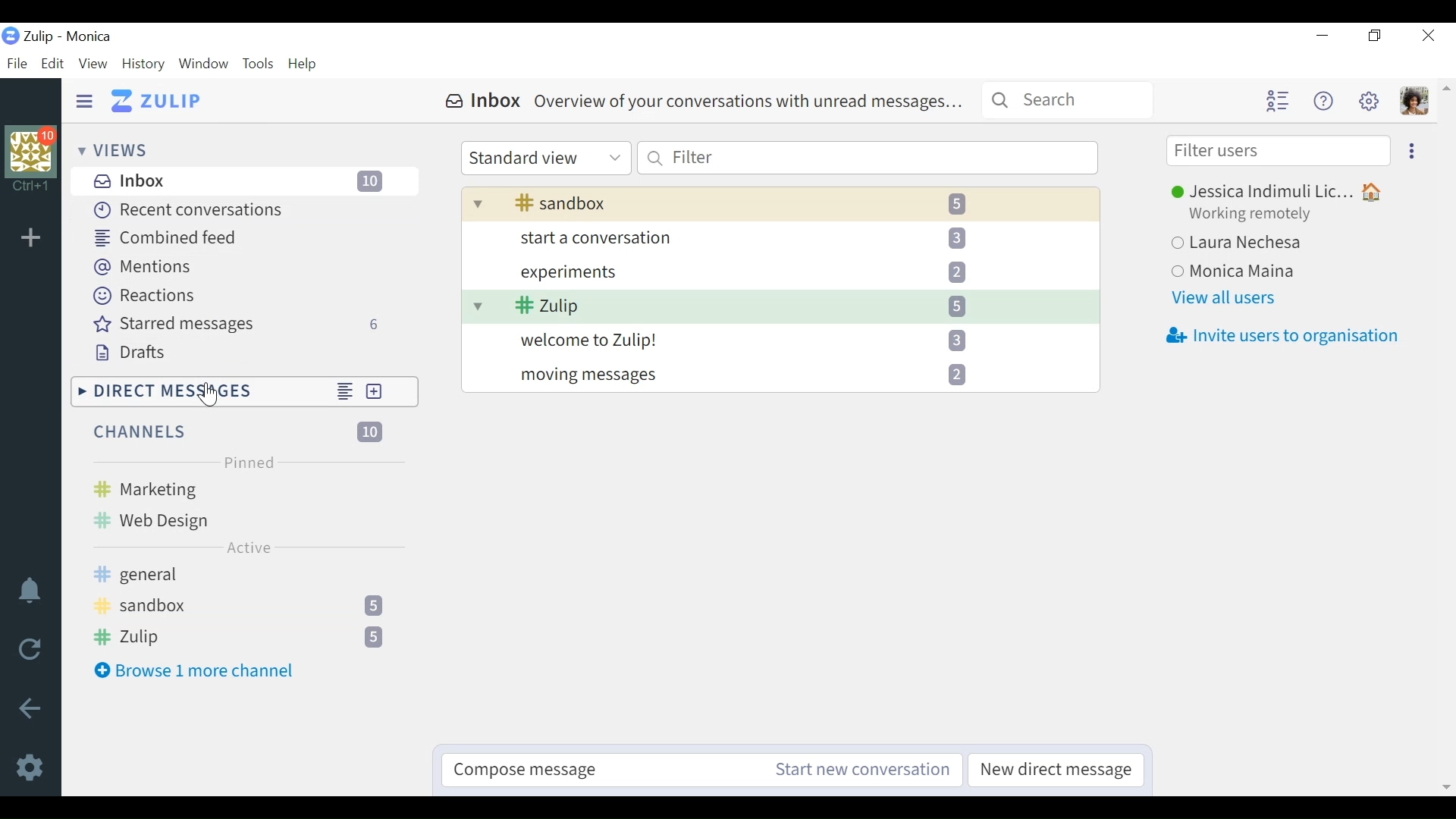  Describe the element at coordinates (1276, 152) in the screenshot. I see `Filter users` at that location.